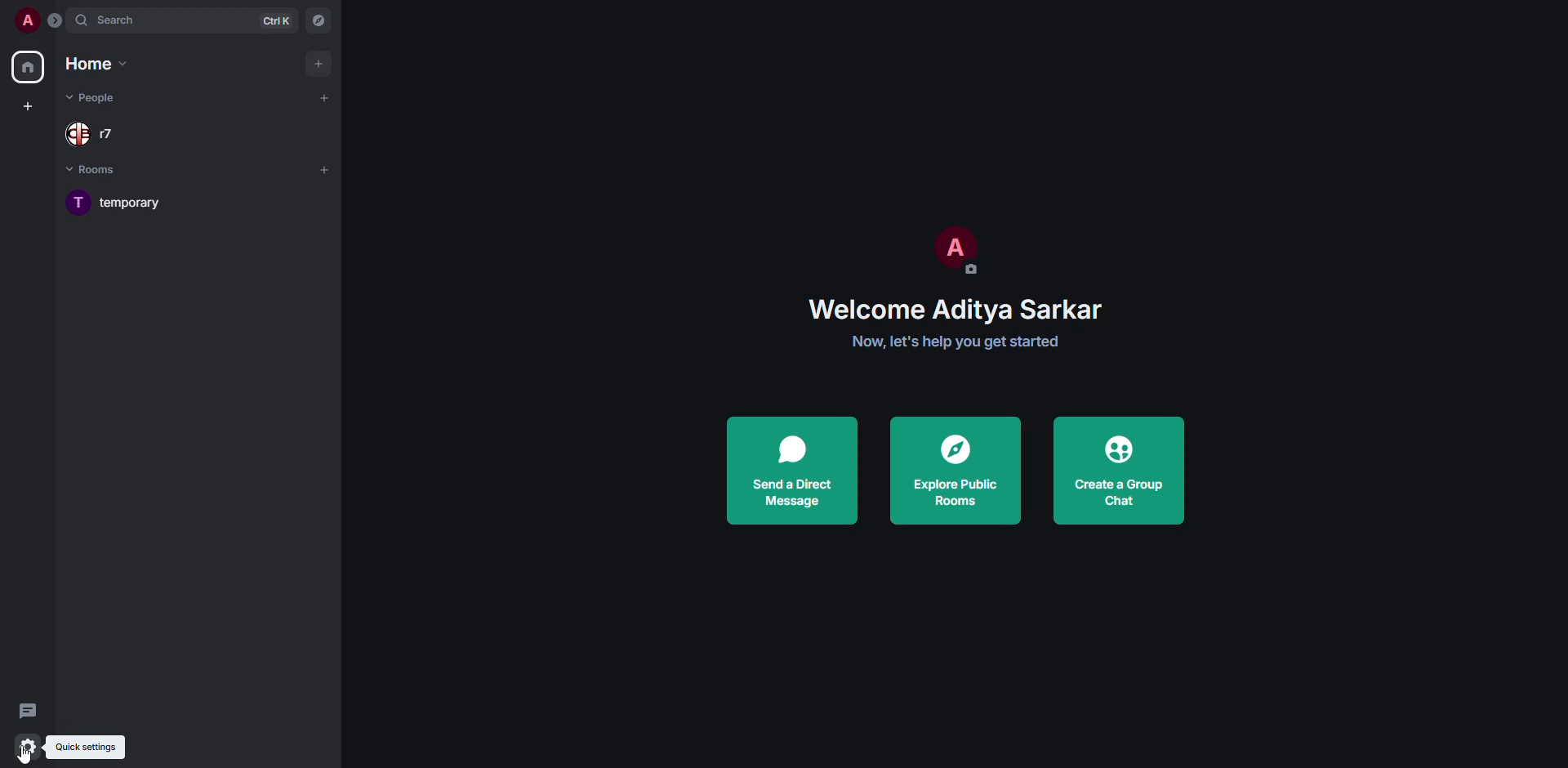 Image resolution: width=1568 pixels, height=768 pixels. What do you see at coordinates (28, 709) in the screenshot?
I see `threads` at bounding box center [28, 709].